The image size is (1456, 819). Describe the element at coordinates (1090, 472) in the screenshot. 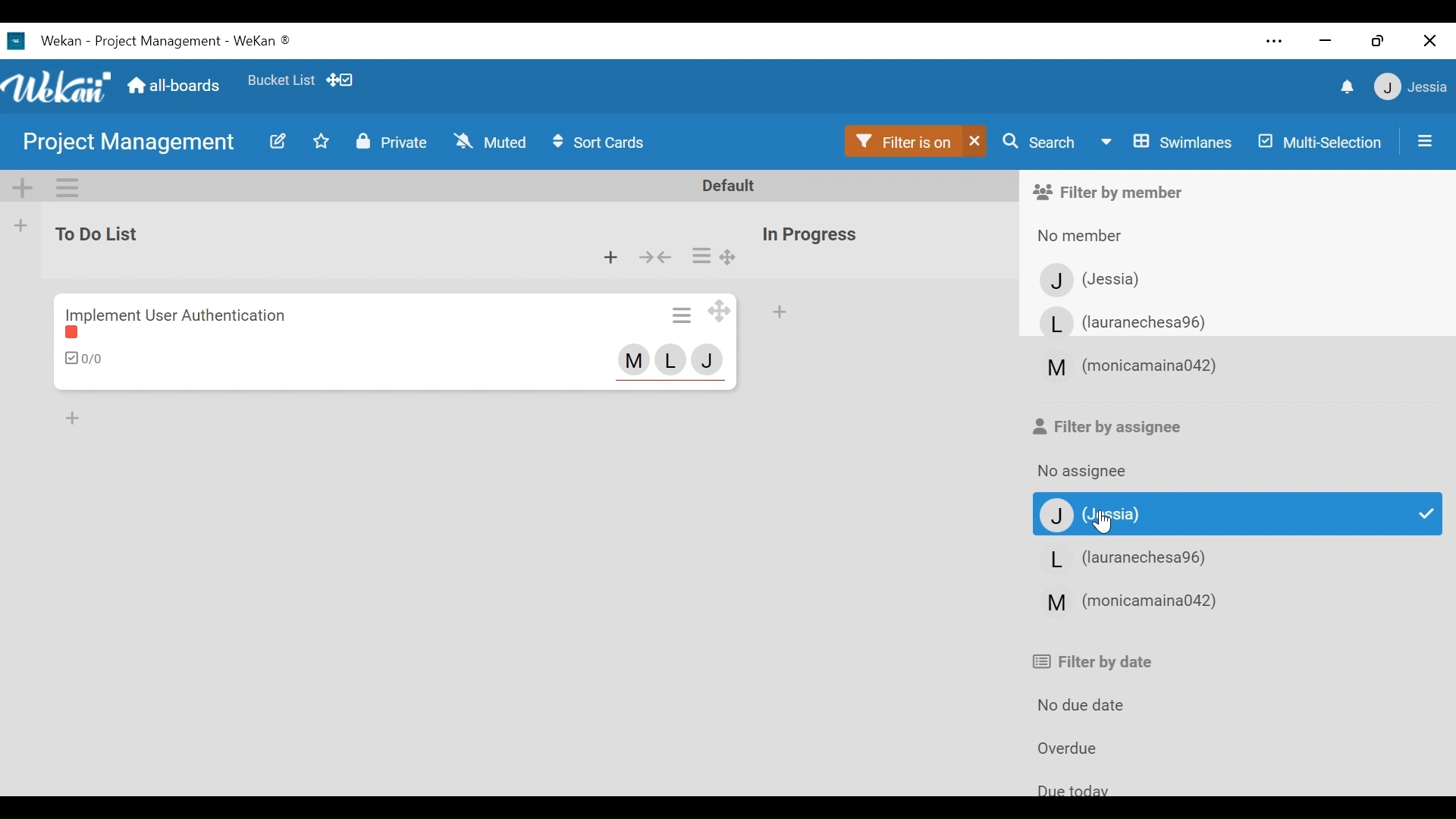

I see `No assignee` at that location.